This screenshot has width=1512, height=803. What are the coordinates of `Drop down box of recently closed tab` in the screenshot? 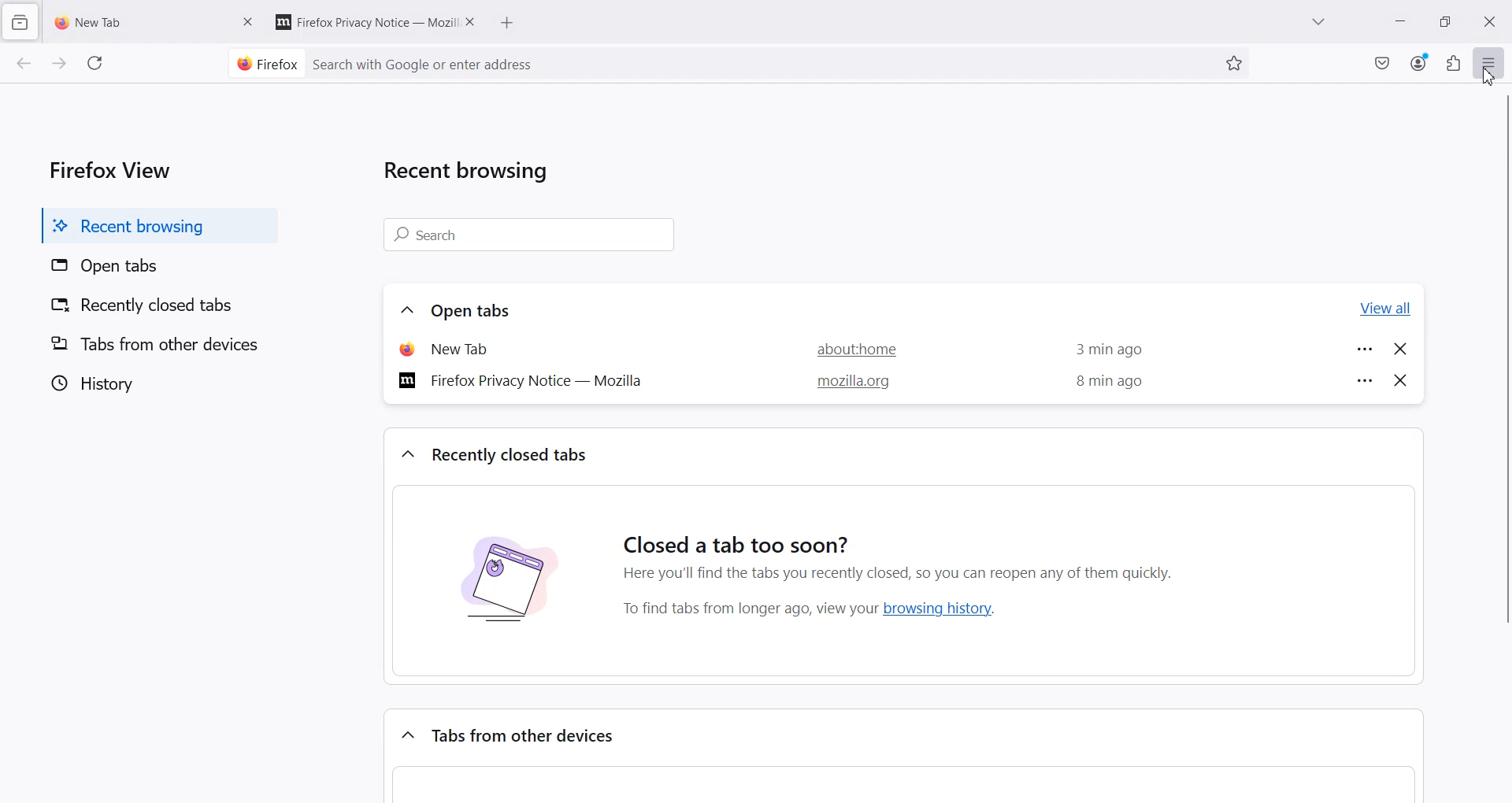 It's located at (405, 455).